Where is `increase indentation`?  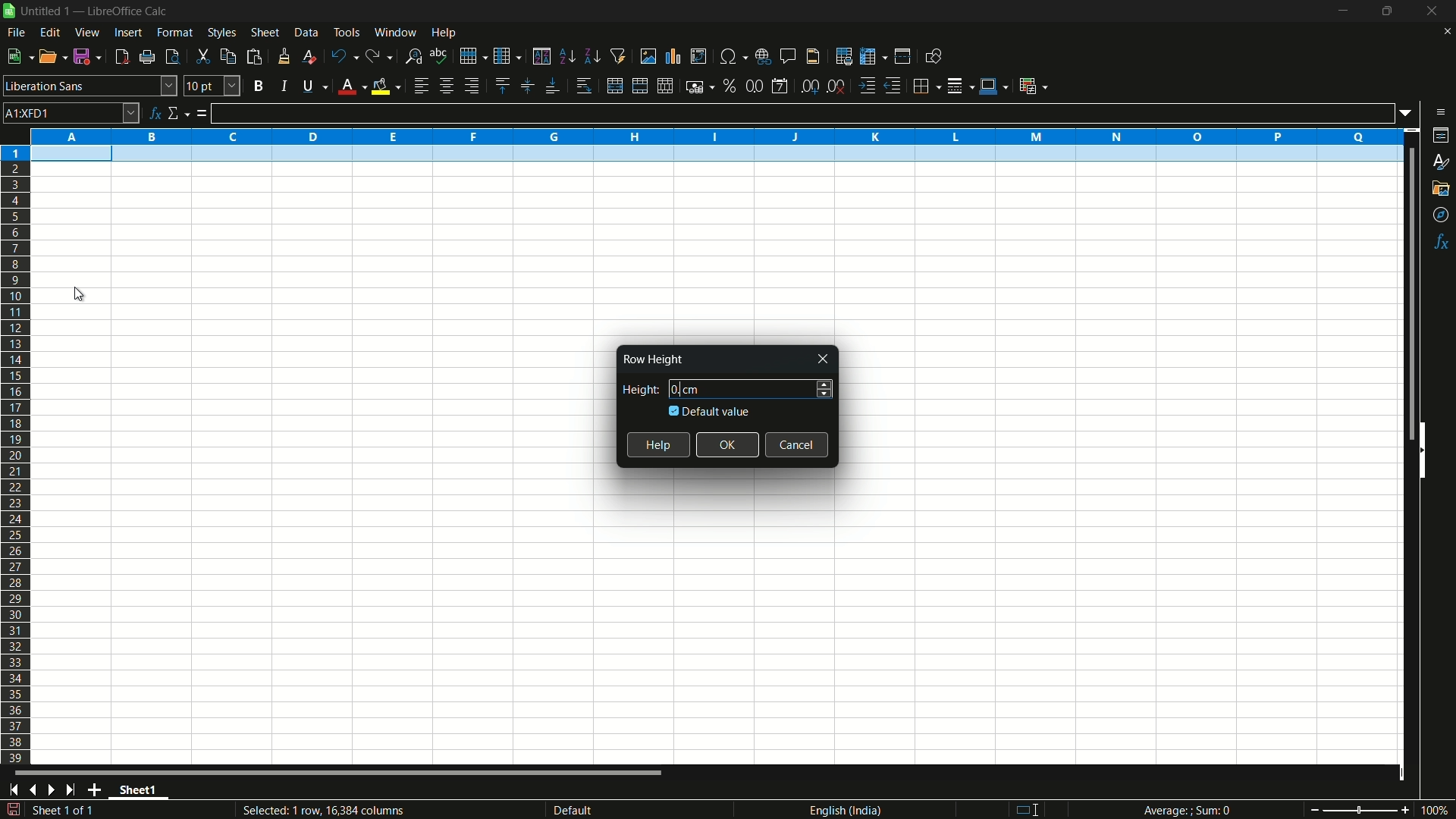 increase indentation is located at coordinates (868, 86).